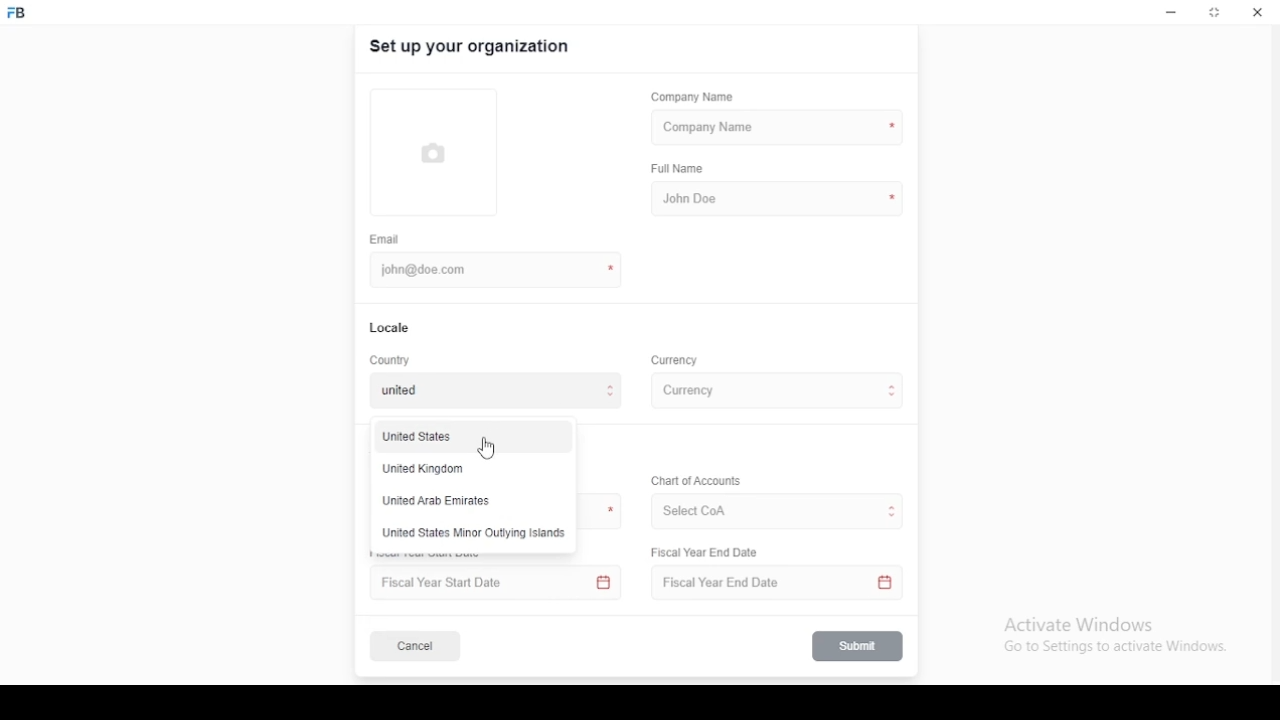 This screenshot has width=1280, height=720. Describe the element at coordinates (859, 646) in the screenshot. I see `submit` at that location.